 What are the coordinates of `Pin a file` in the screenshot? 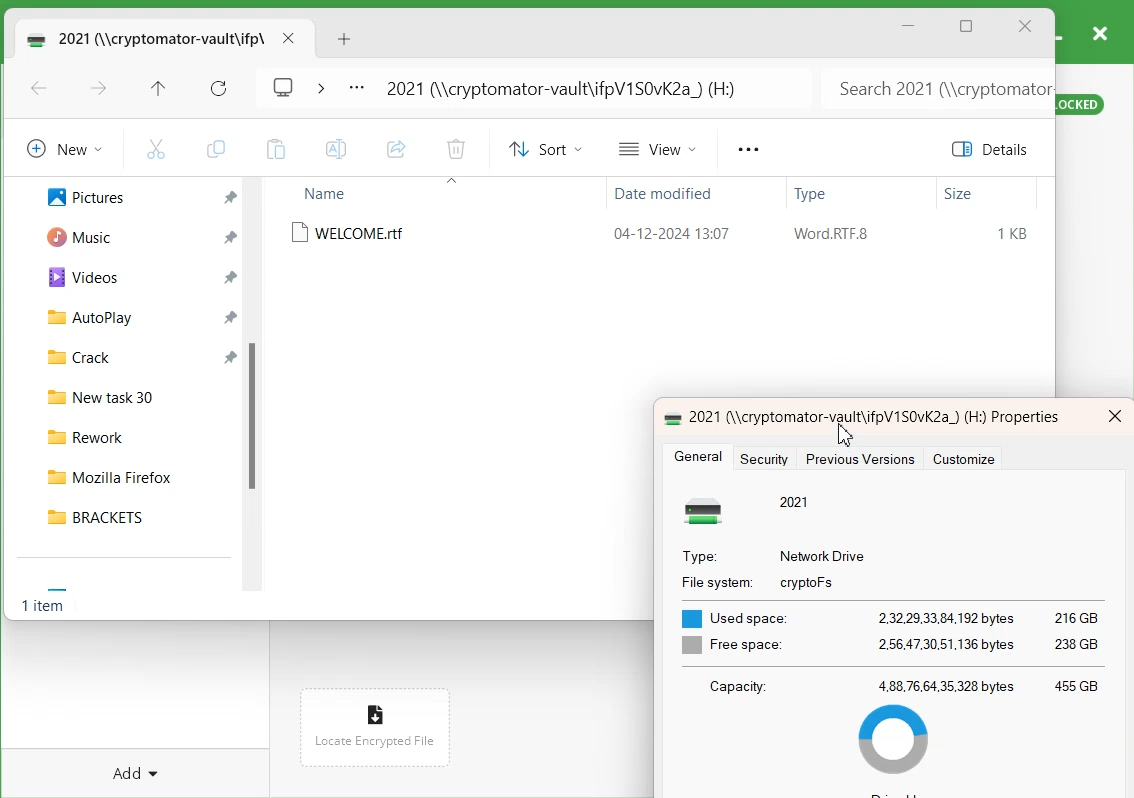 It's located at (231, 198).